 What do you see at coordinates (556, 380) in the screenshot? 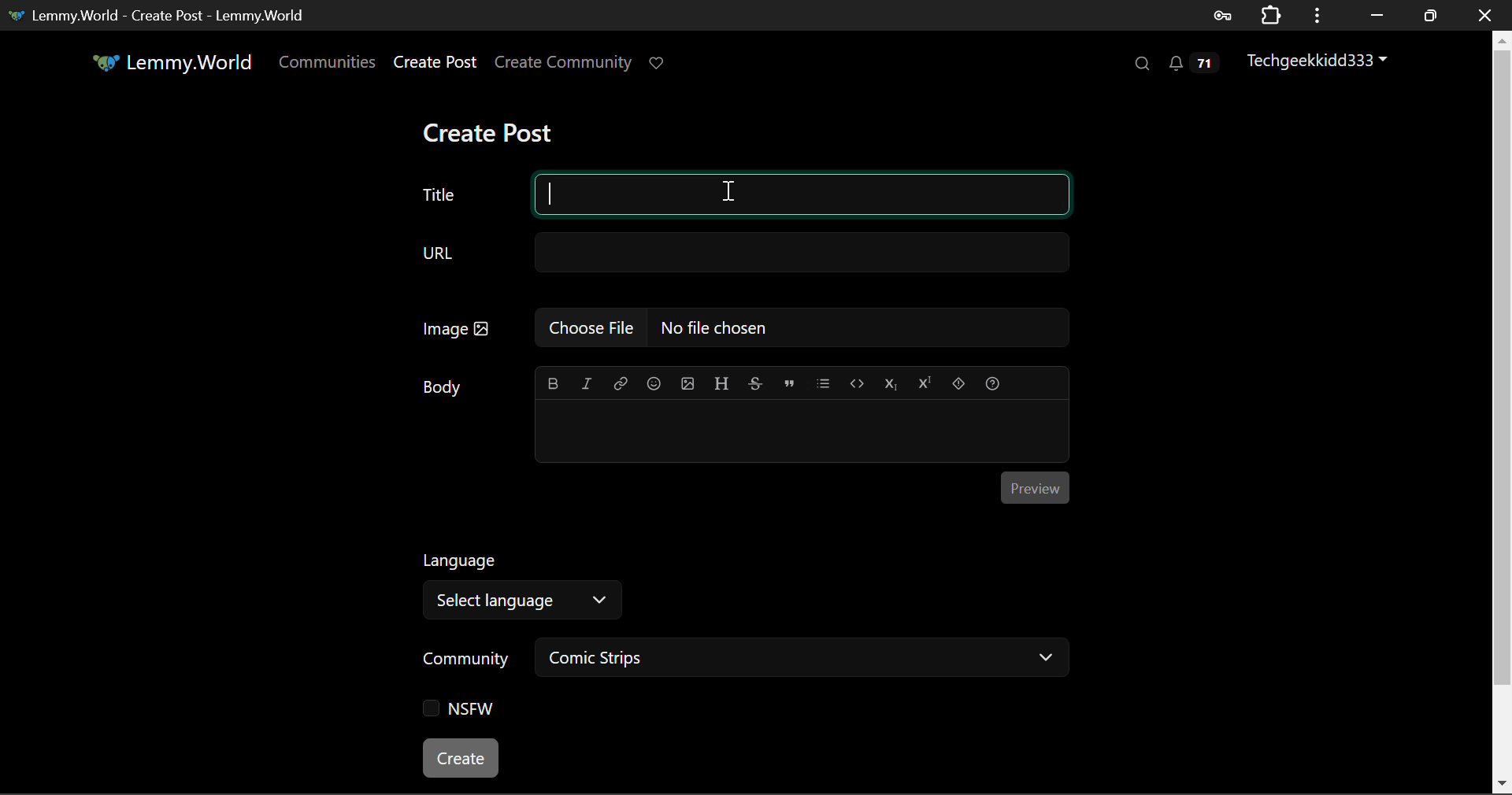
I see `bold` at bounding box center [556, 380].